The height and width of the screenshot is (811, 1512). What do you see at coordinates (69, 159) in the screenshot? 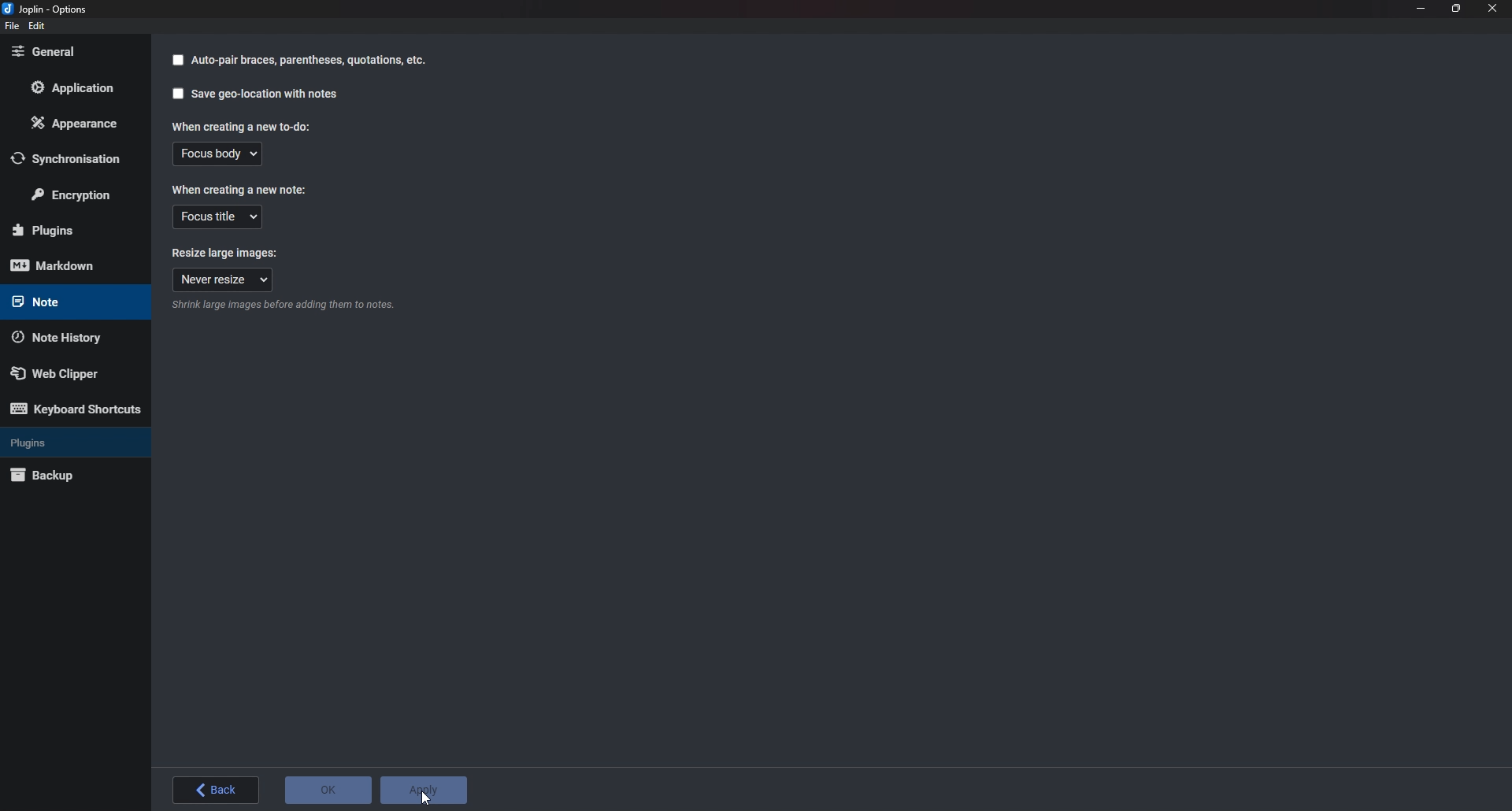
I see `Synchronization` at bounding box center [69, 159].